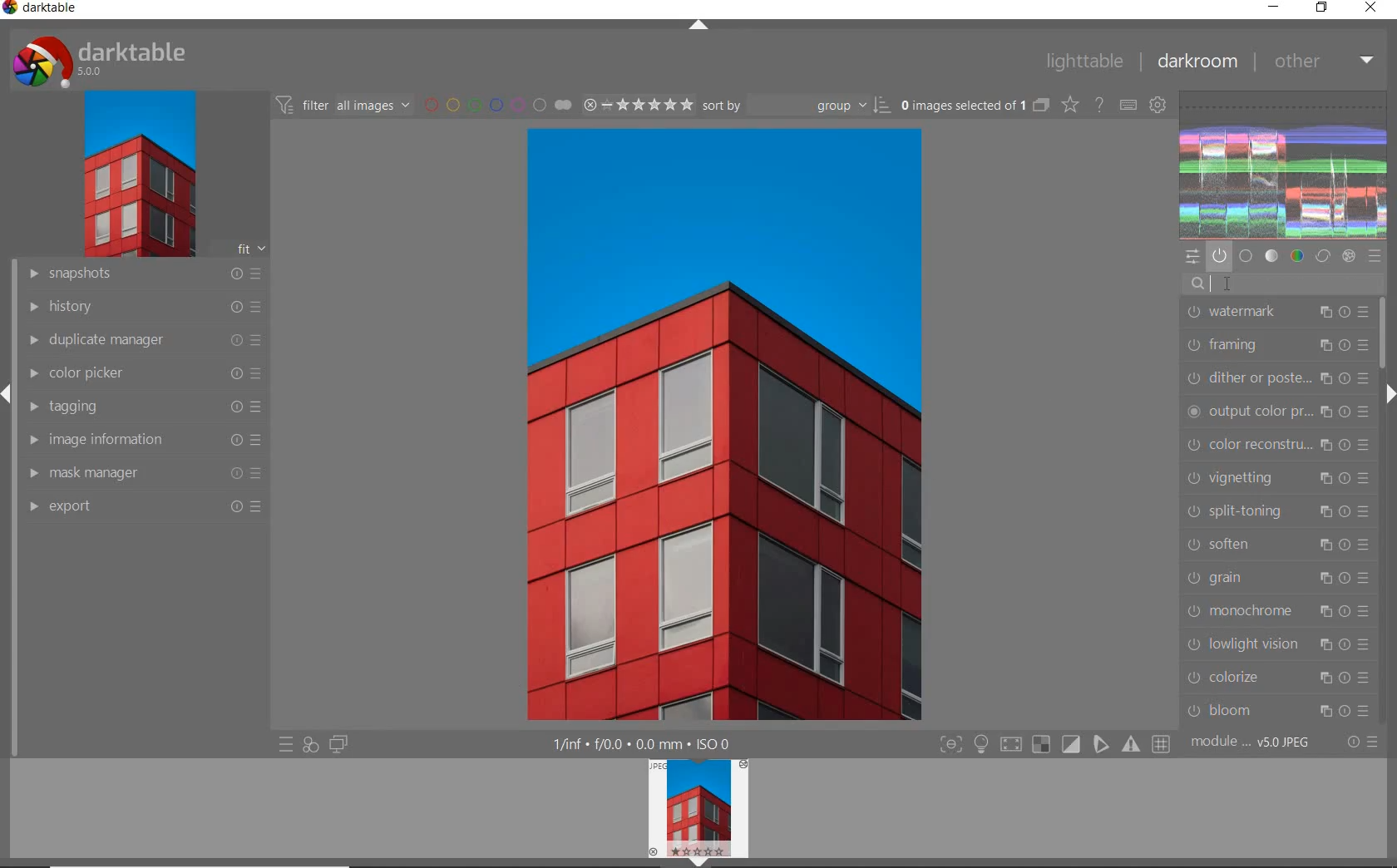 The image size is (1397, 868). What do you see at coordinates (1276, 479) in the screenshot?
I see `vignetting` at bounding box center [1276, 479].